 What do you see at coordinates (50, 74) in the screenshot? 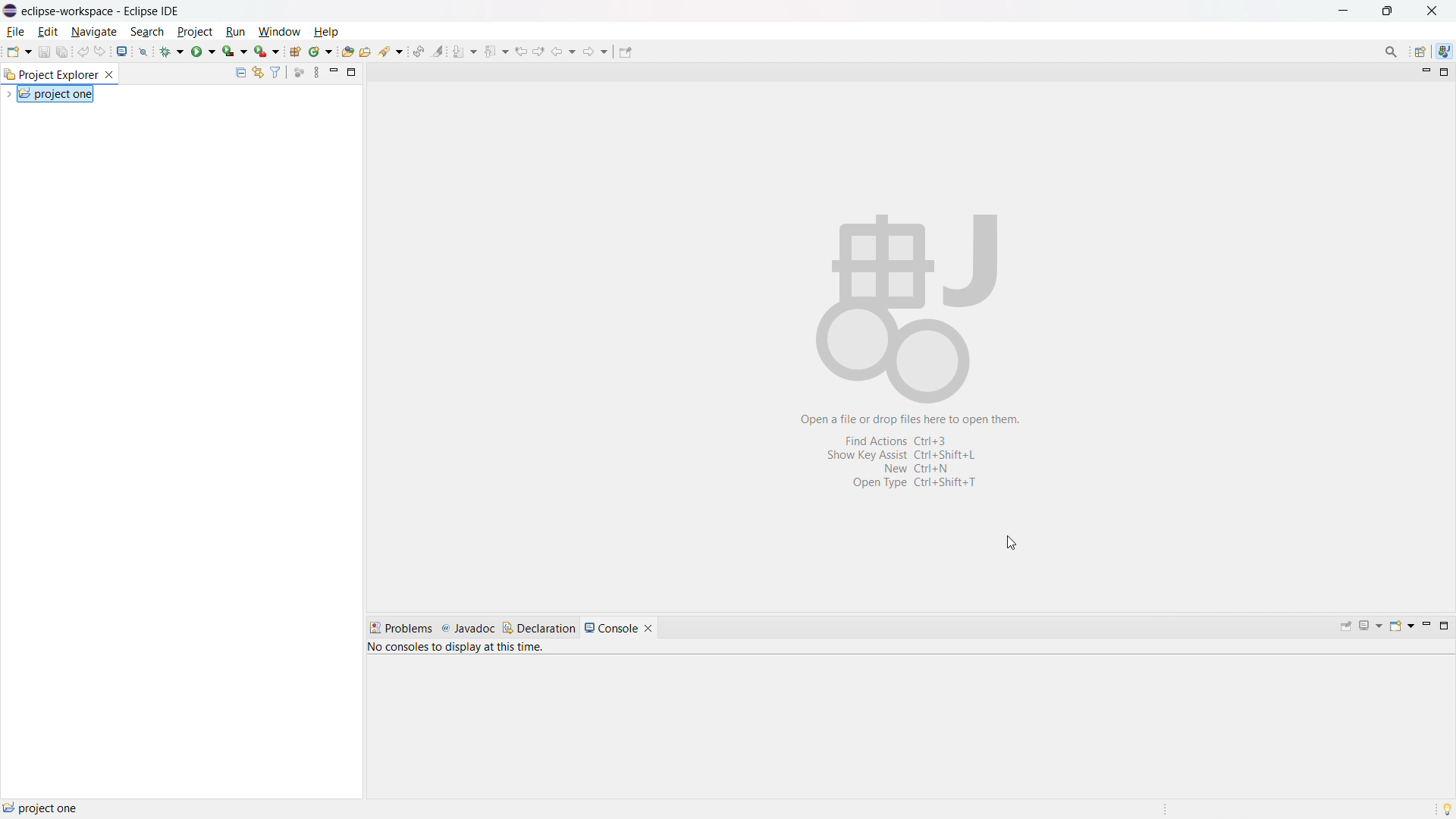
I see `project explorer` at bounding box center [50, 74].